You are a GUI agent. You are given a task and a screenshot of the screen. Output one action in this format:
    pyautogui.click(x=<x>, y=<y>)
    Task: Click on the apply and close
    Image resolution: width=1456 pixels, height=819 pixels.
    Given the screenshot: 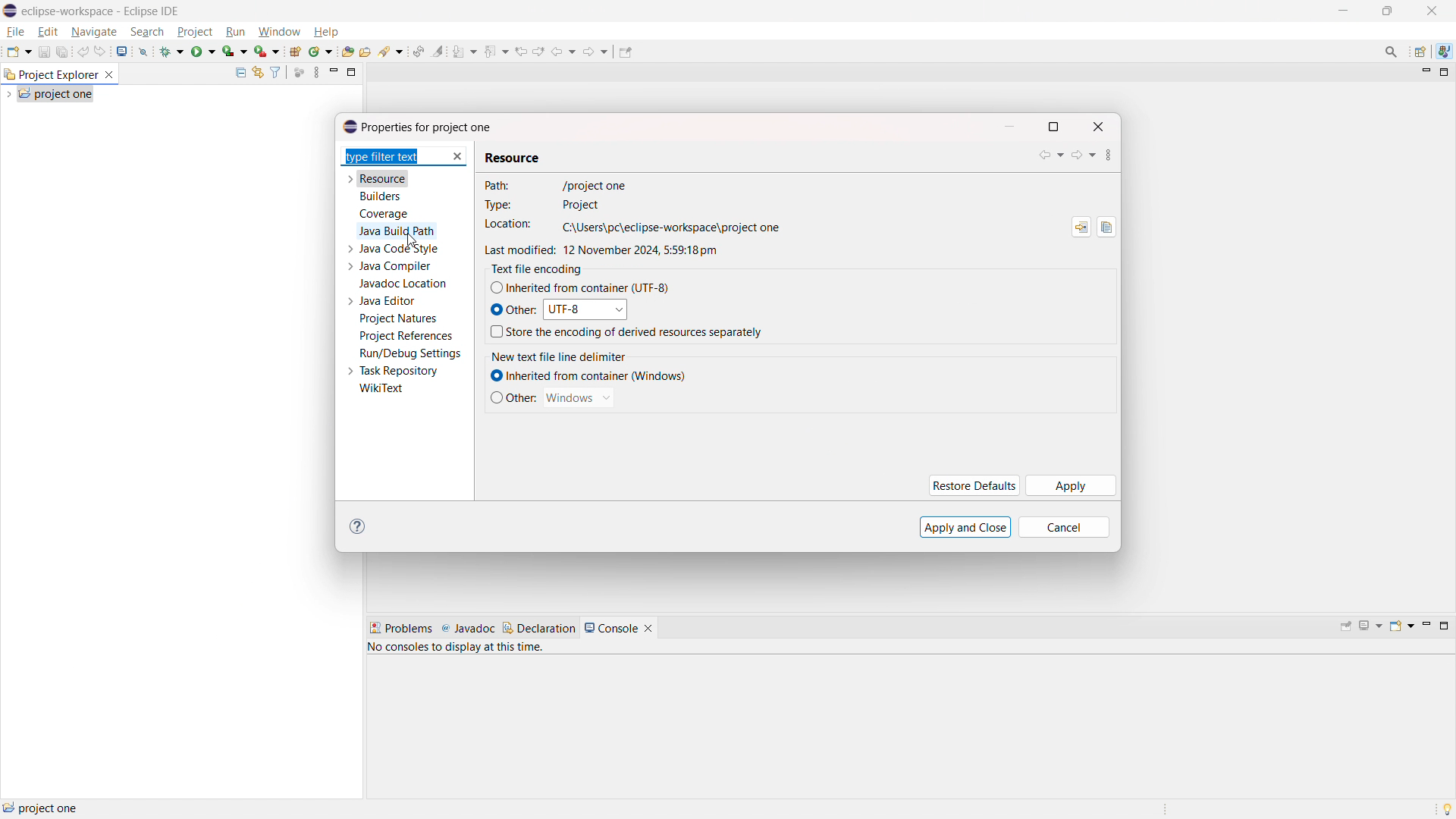 What is the action you would take?
    pyautogui.click(x=966, y=527)
    